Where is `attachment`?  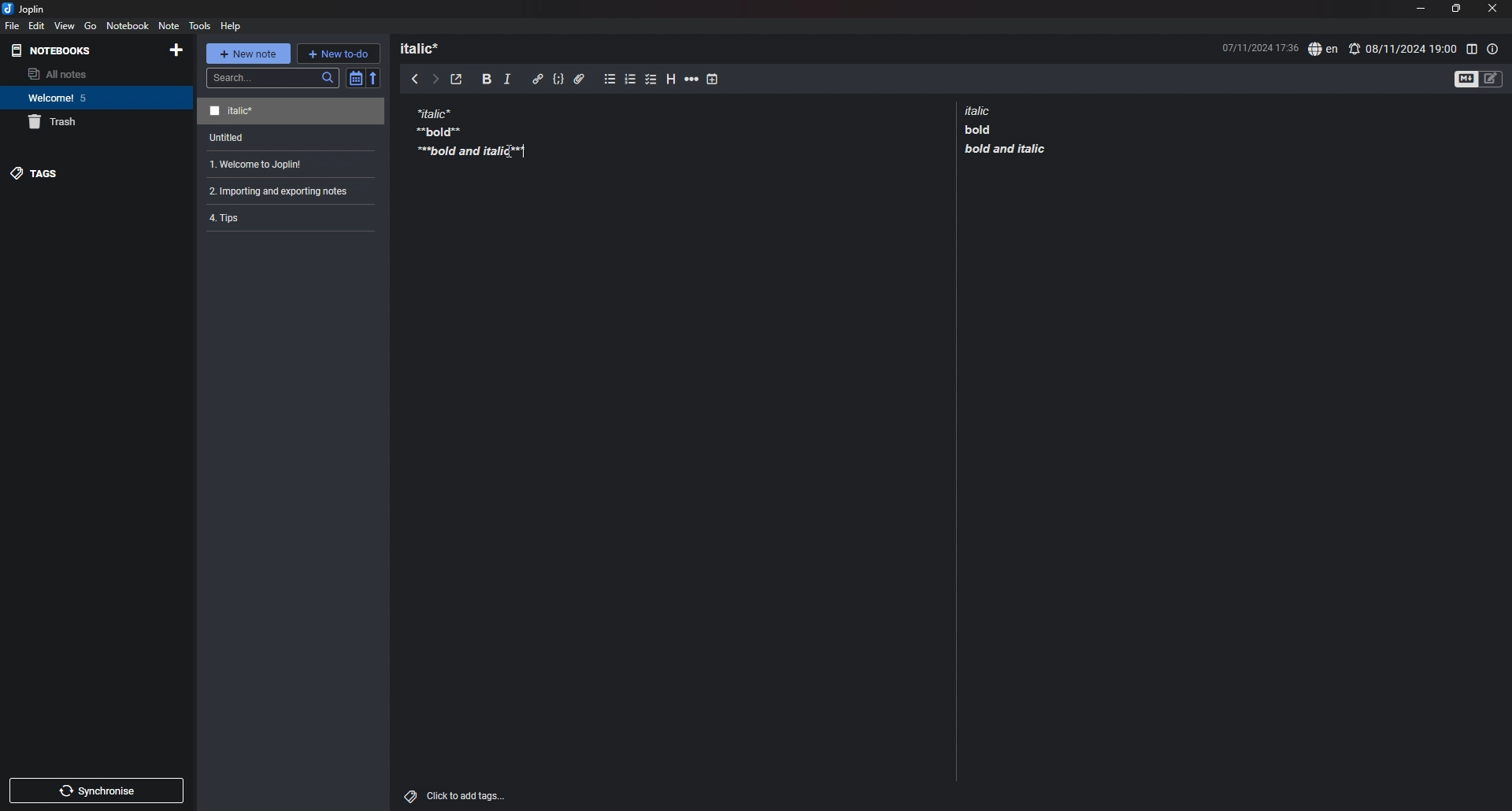
attachment is located at coordinates (580, 80).